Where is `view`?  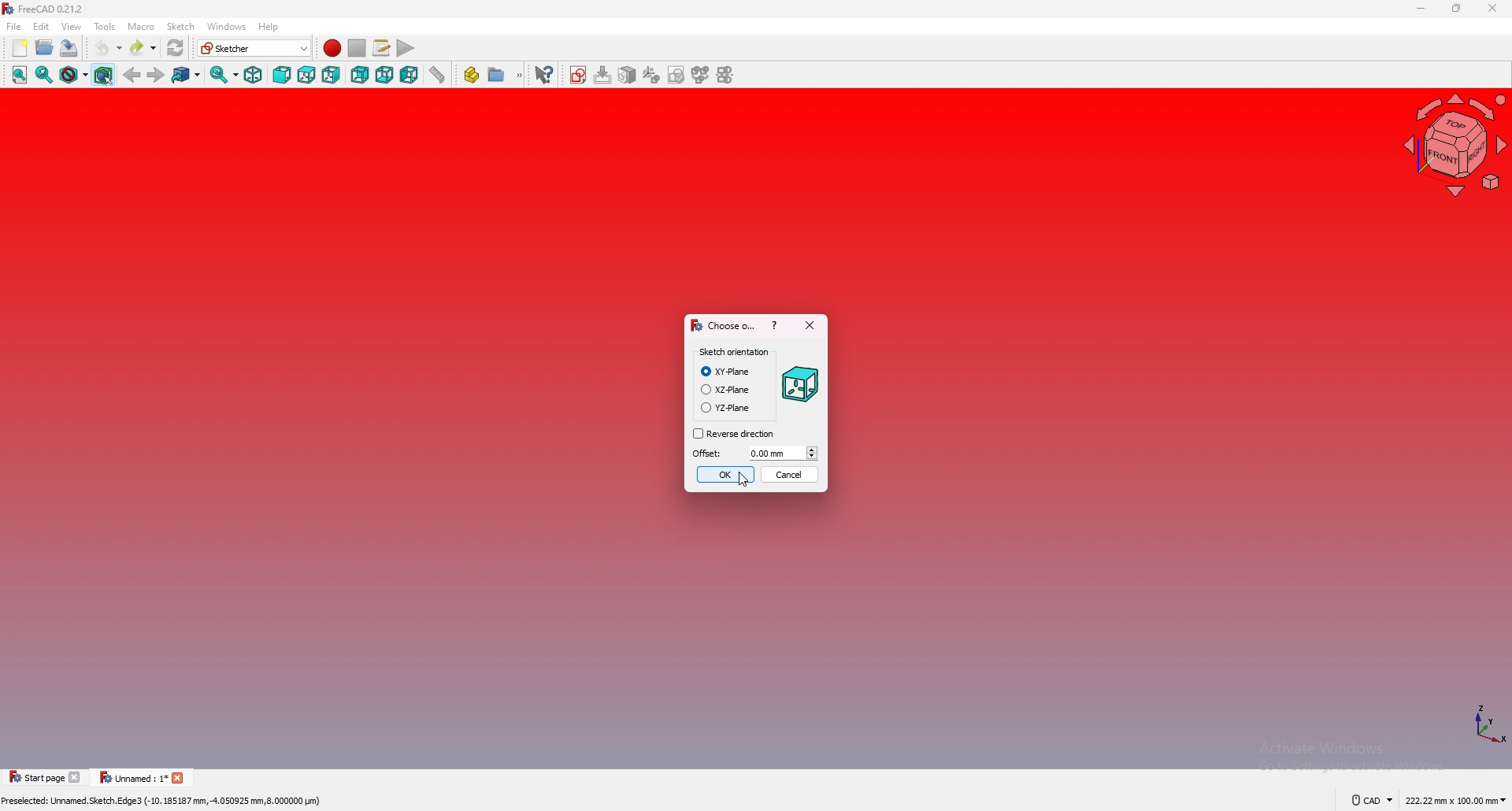 view is located at coordinates (72, 26).